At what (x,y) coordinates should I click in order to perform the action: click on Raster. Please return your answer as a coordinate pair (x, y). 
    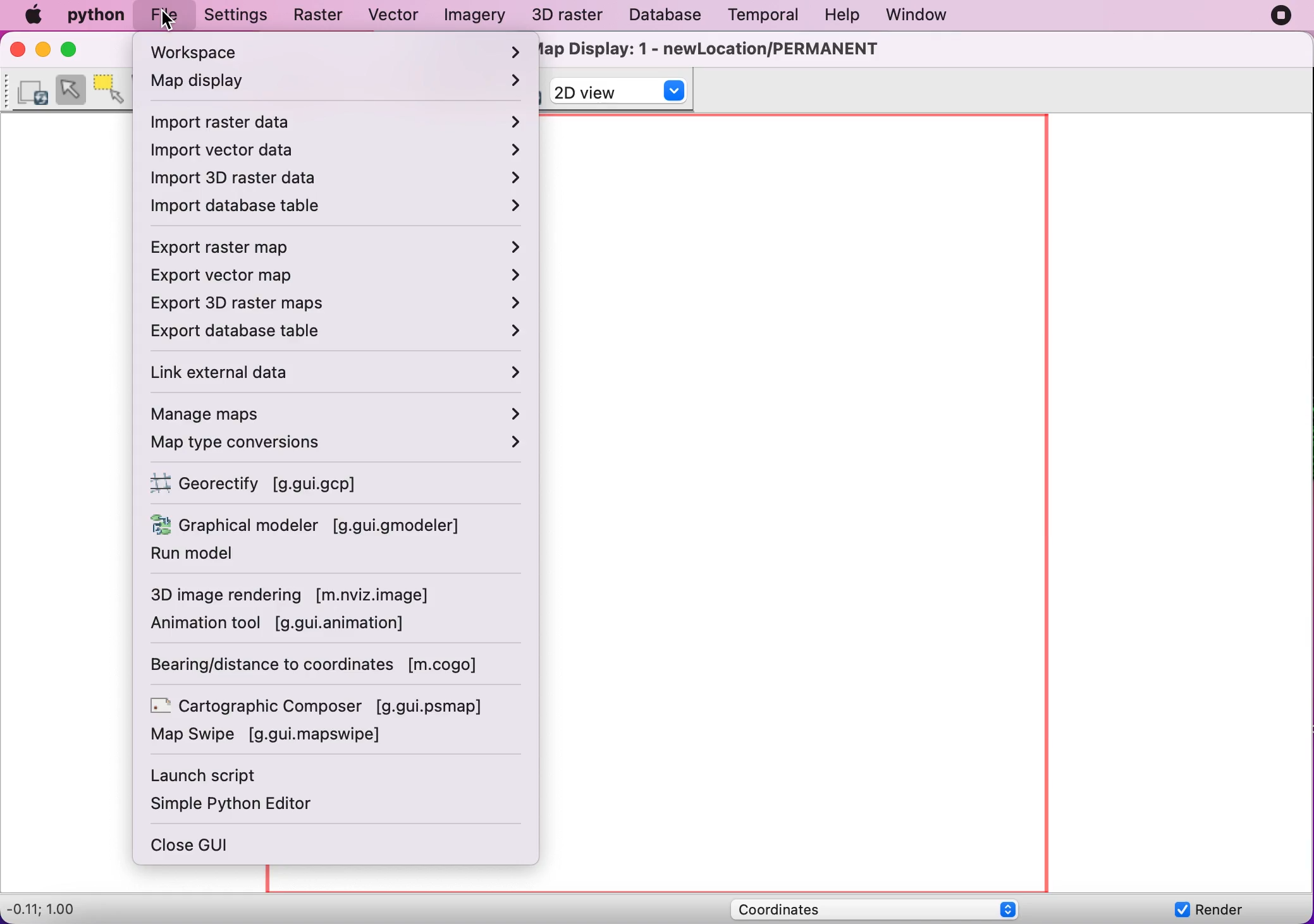
    Looking at the image, I should click on (324, 15).